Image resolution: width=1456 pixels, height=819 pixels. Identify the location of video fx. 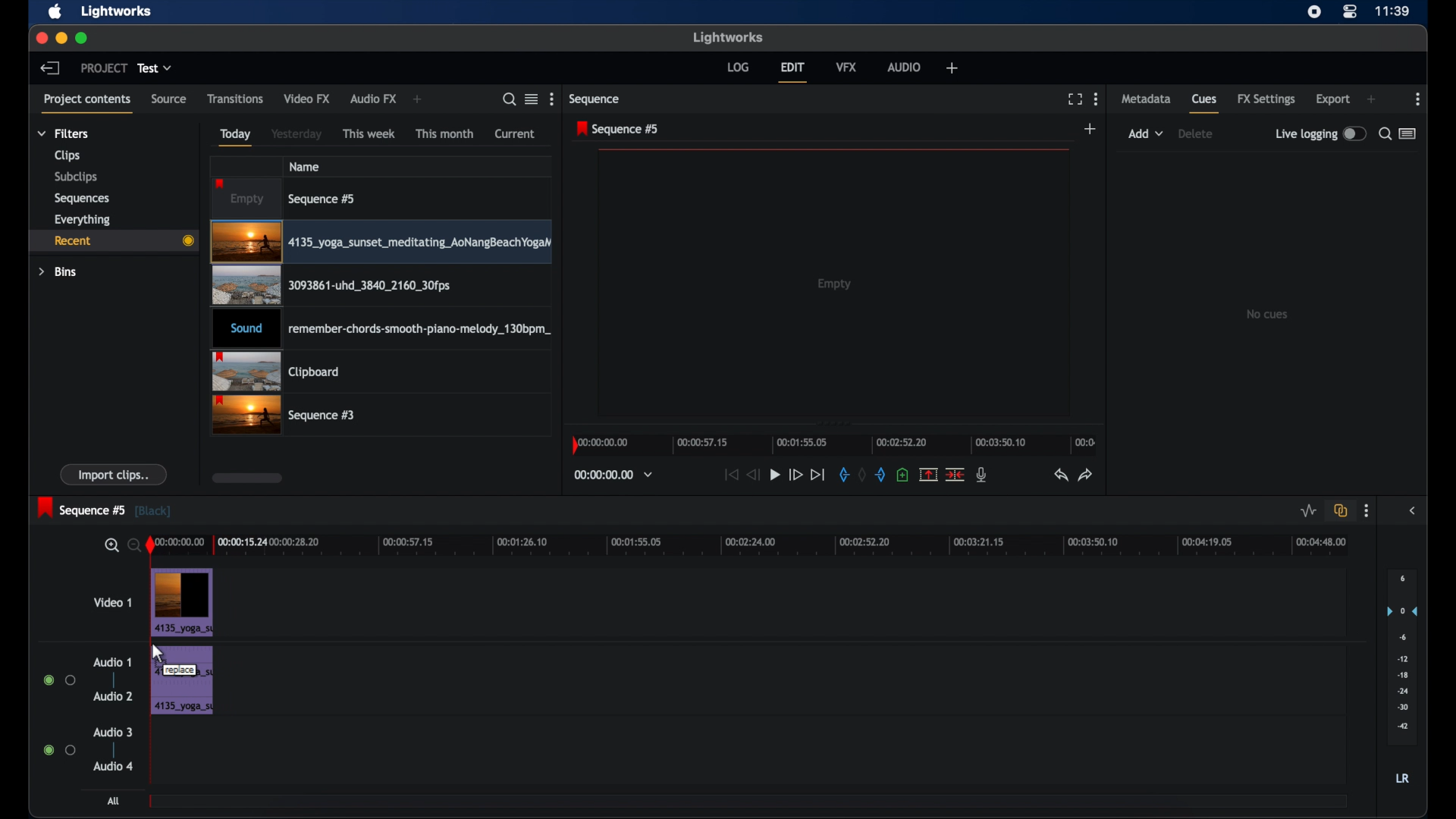
(309, 99).